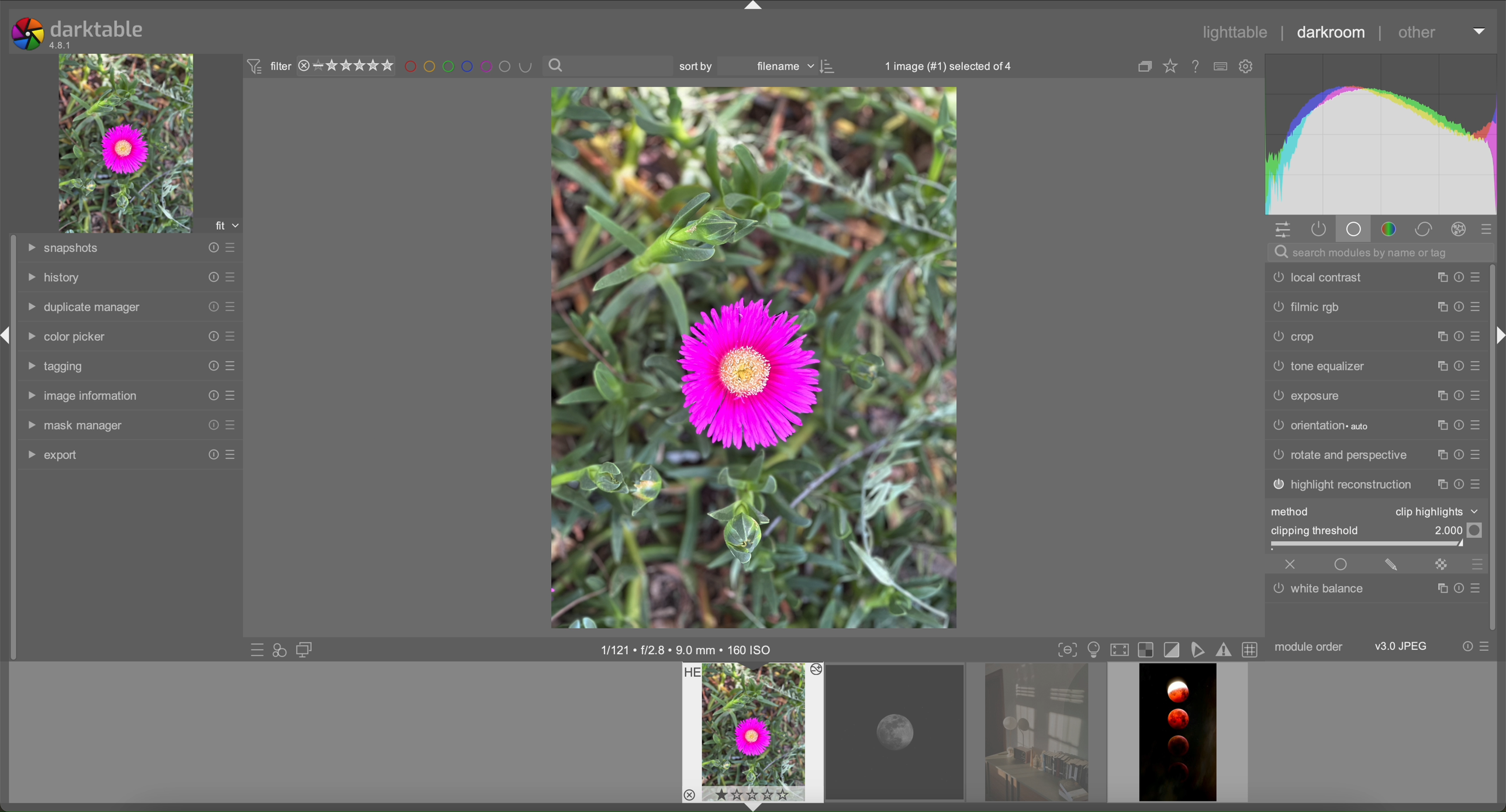  What do you see at coordinates (1478, 485) in the screenshot?
I see `presets` at bounding box center [1478, 485].